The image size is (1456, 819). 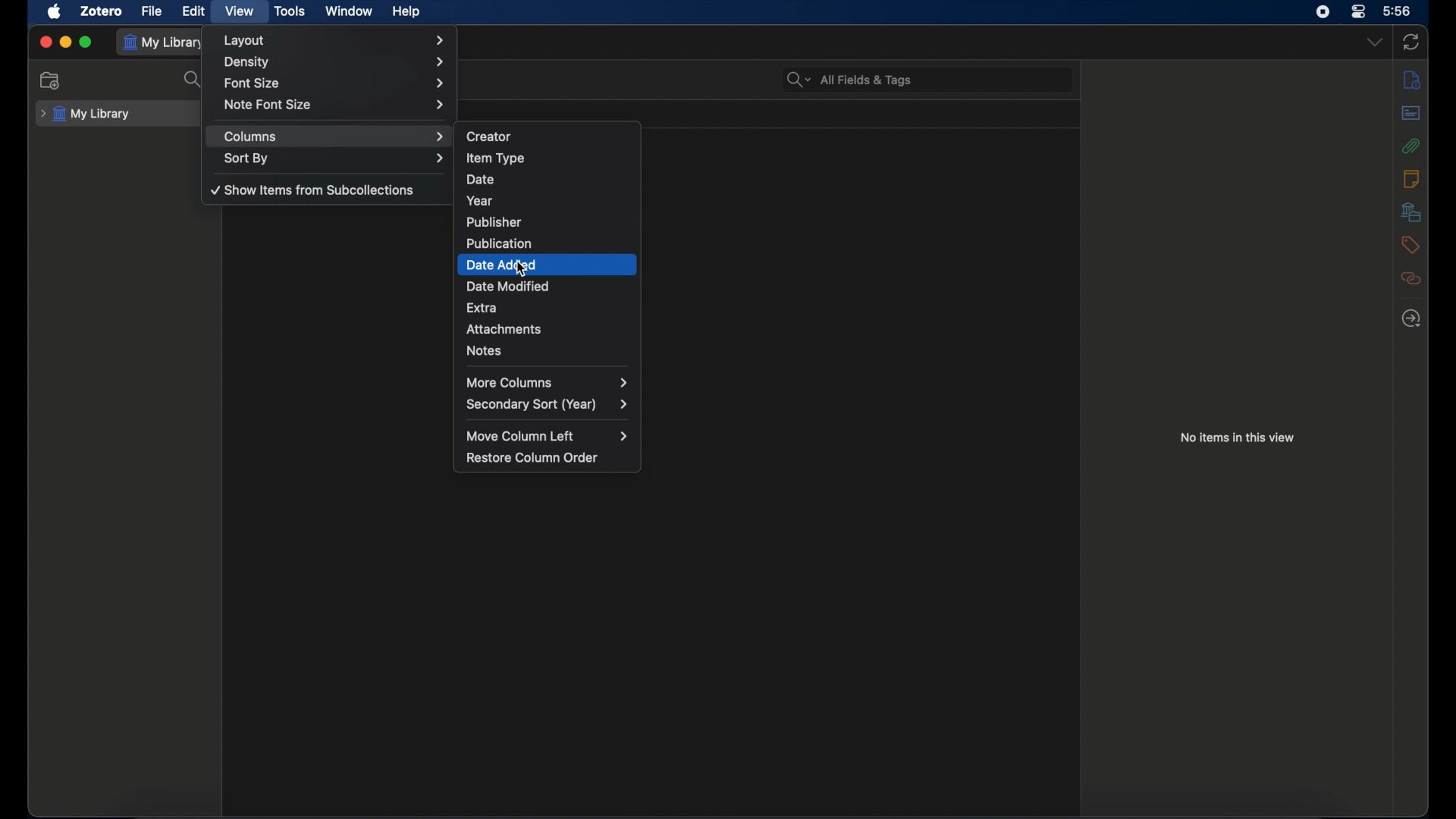 I want to click on sort by, so click(x=335, y=159).